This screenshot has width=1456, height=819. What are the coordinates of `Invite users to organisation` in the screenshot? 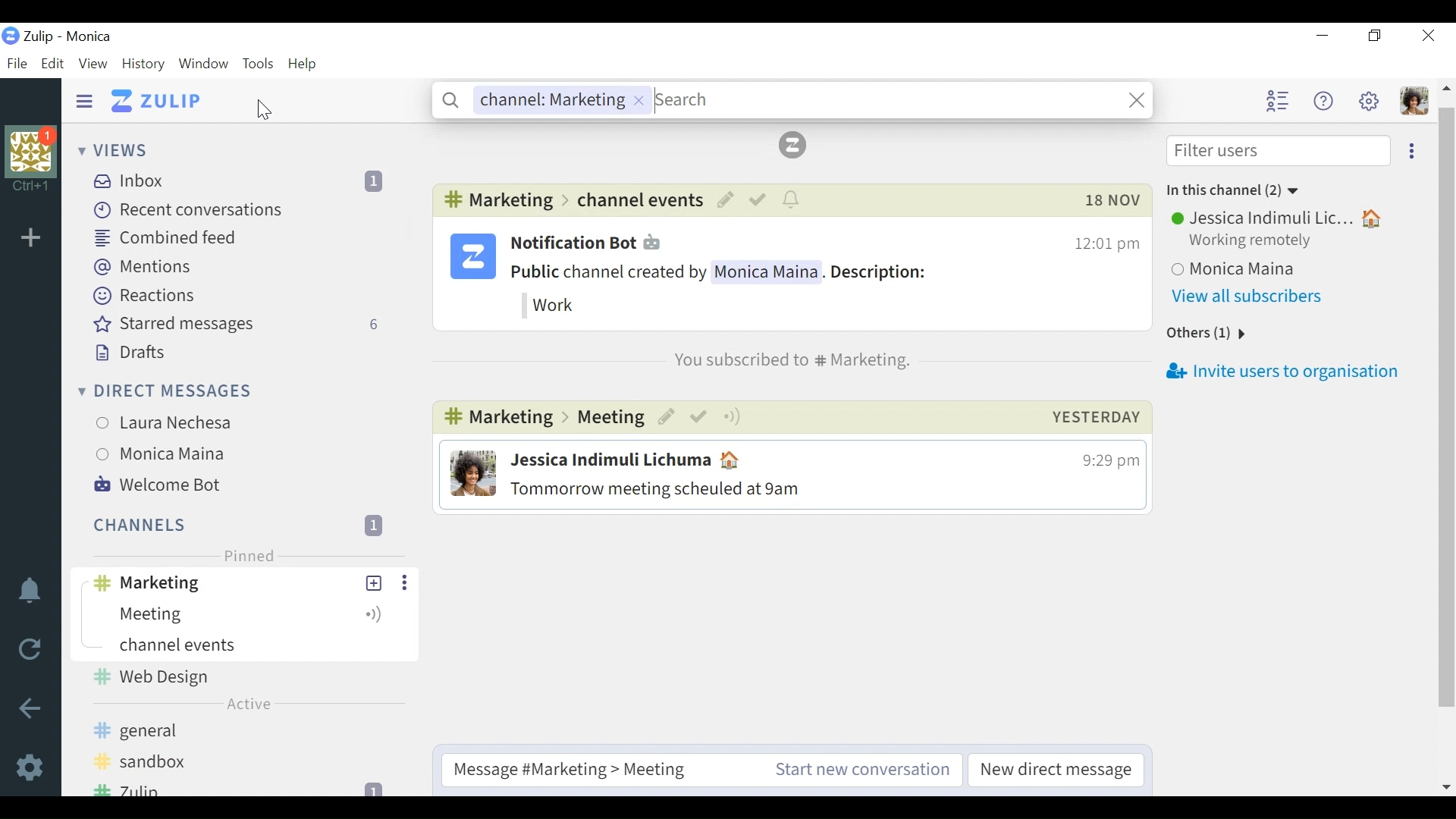 It's located at (1282, 372).